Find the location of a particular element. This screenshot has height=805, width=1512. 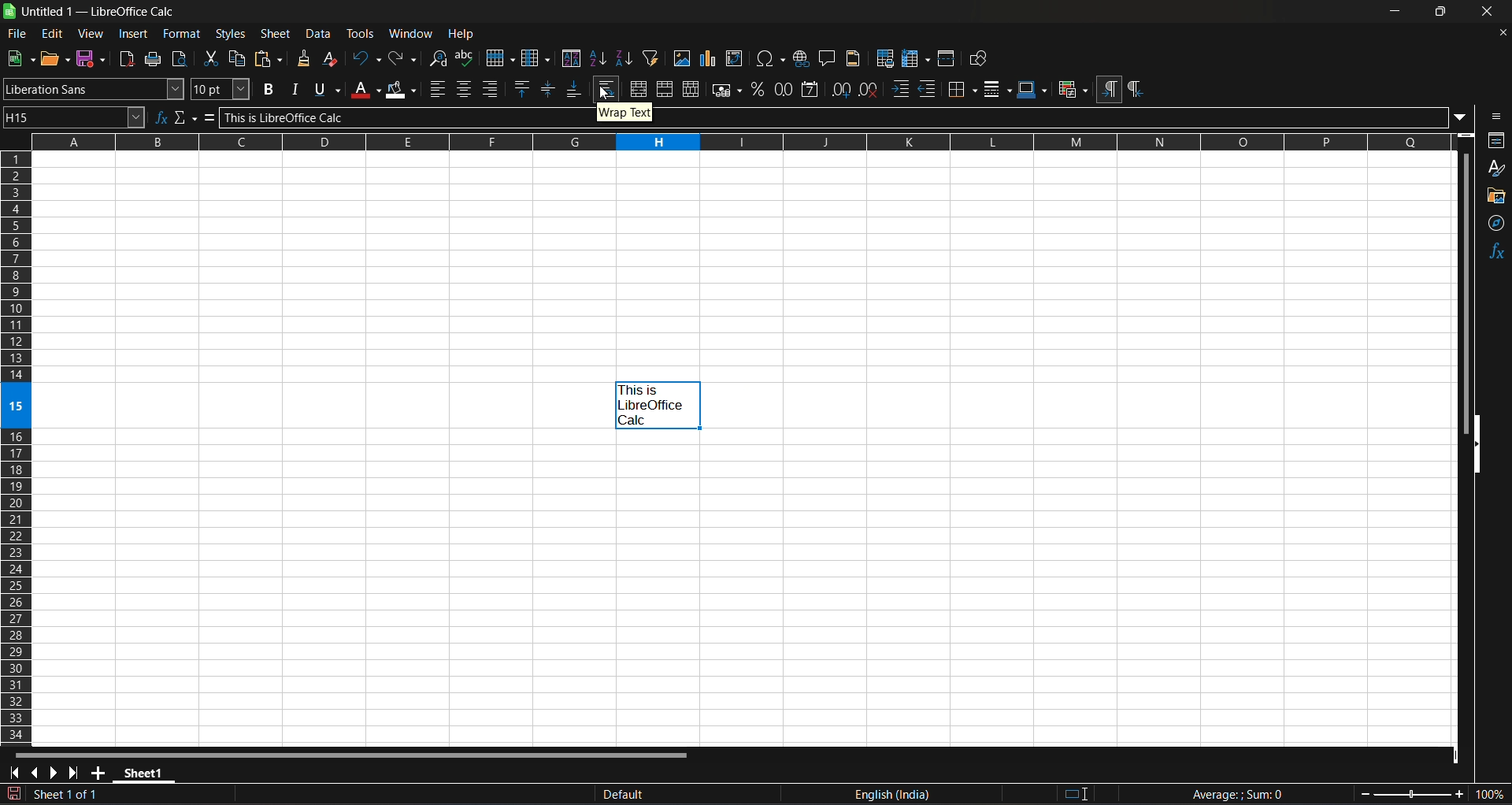

export directly as pdf is located at coordinates (128, 59).